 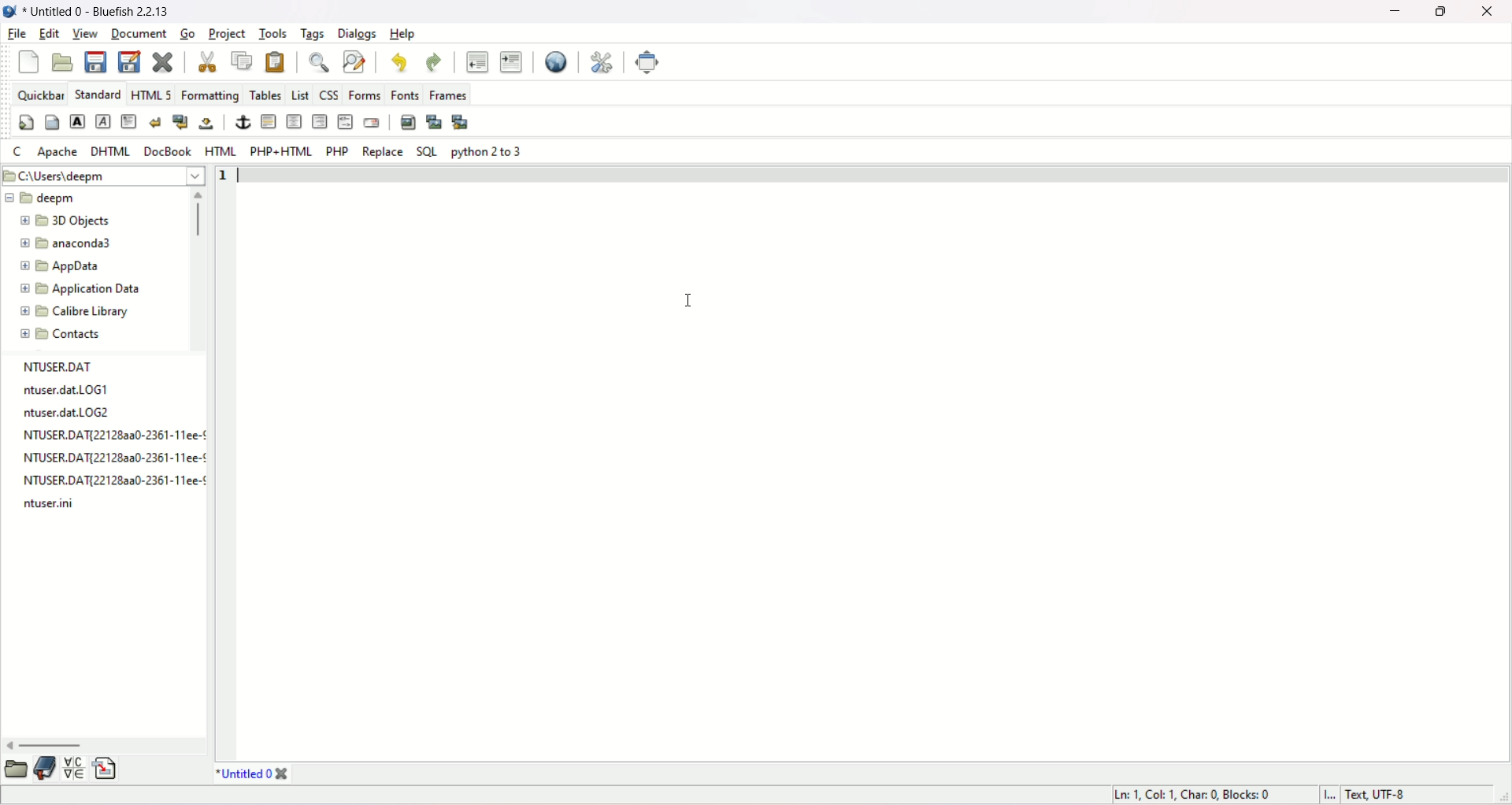 I want to click on find, so click(x=316, y=64).